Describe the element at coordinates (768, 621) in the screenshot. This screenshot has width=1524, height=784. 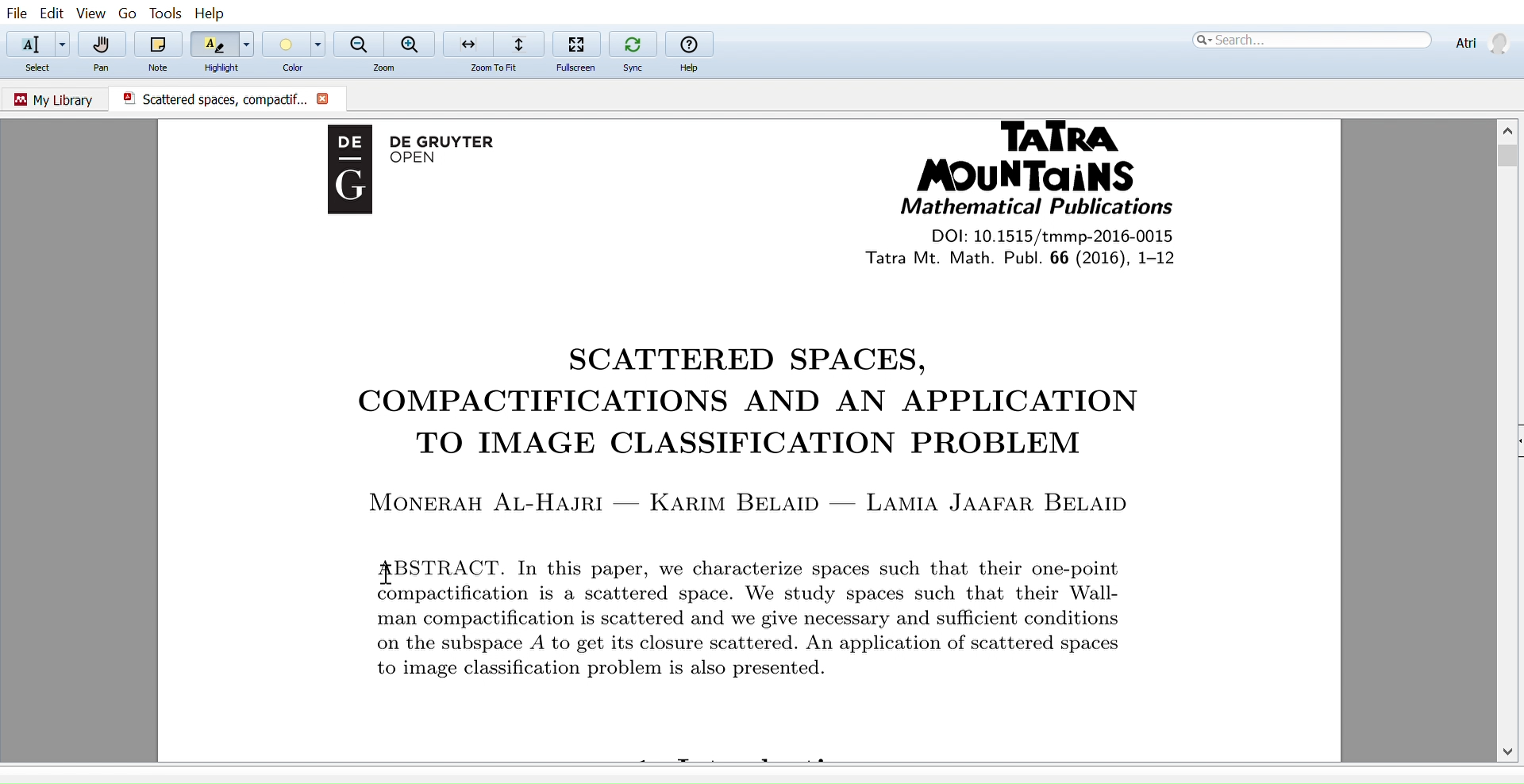
I see `man compactification is scattered and we give necessary and sufficient conditions` at that location.